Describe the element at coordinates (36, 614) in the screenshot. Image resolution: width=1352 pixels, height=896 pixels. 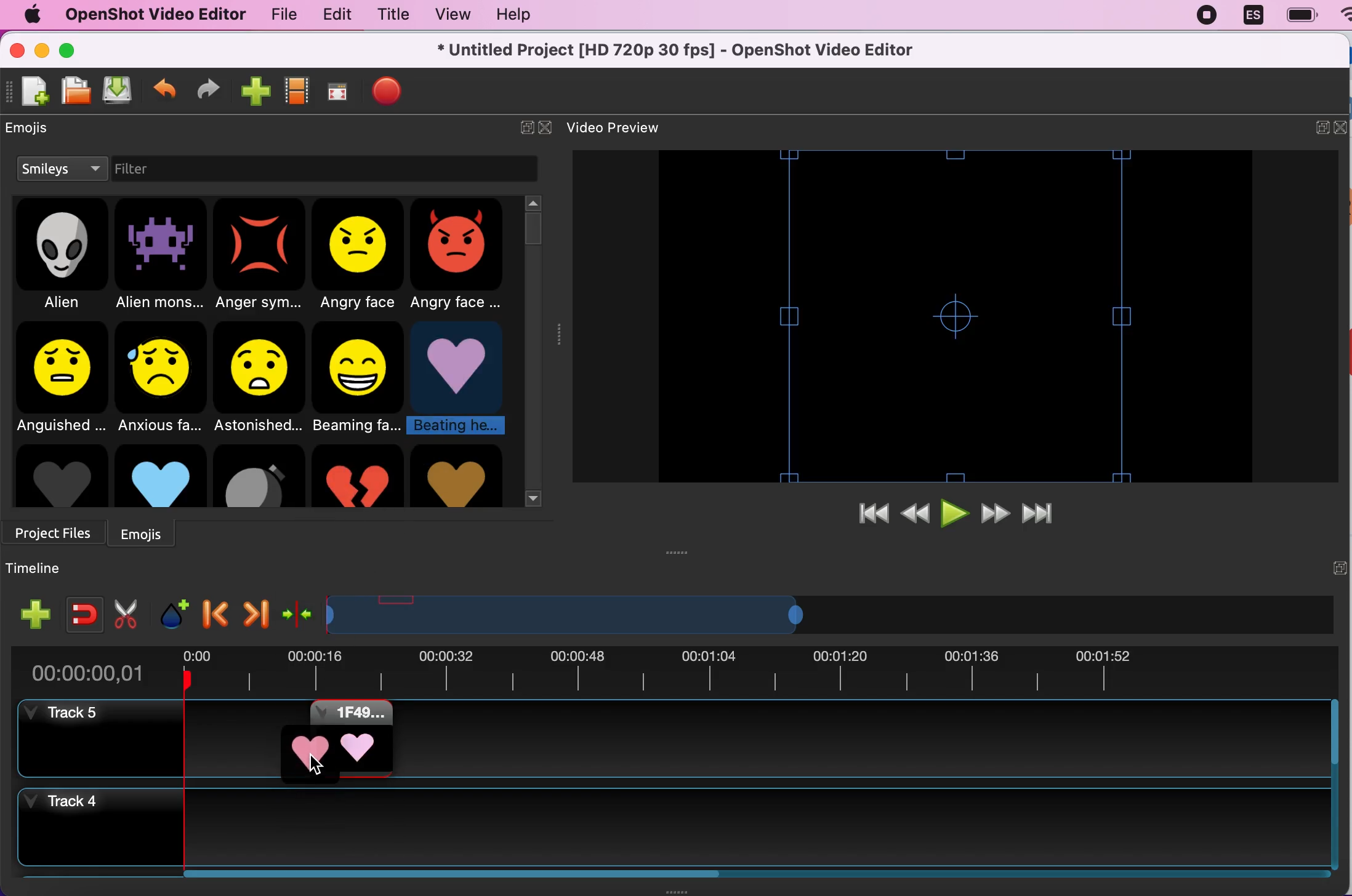
I see `add track` at that location.